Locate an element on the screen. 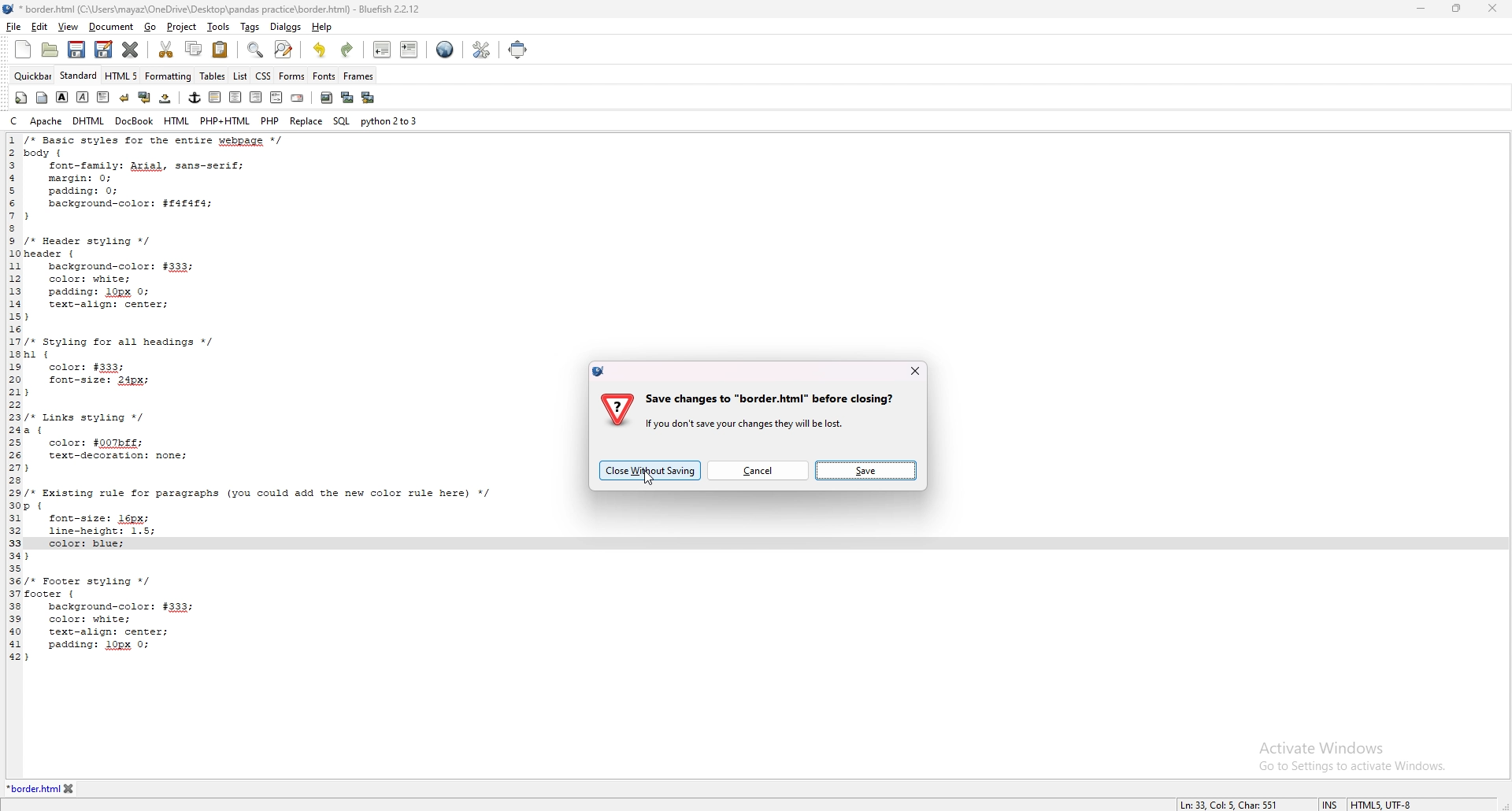 The image size is (1512, 811). body is located at coordinates (41, 98).